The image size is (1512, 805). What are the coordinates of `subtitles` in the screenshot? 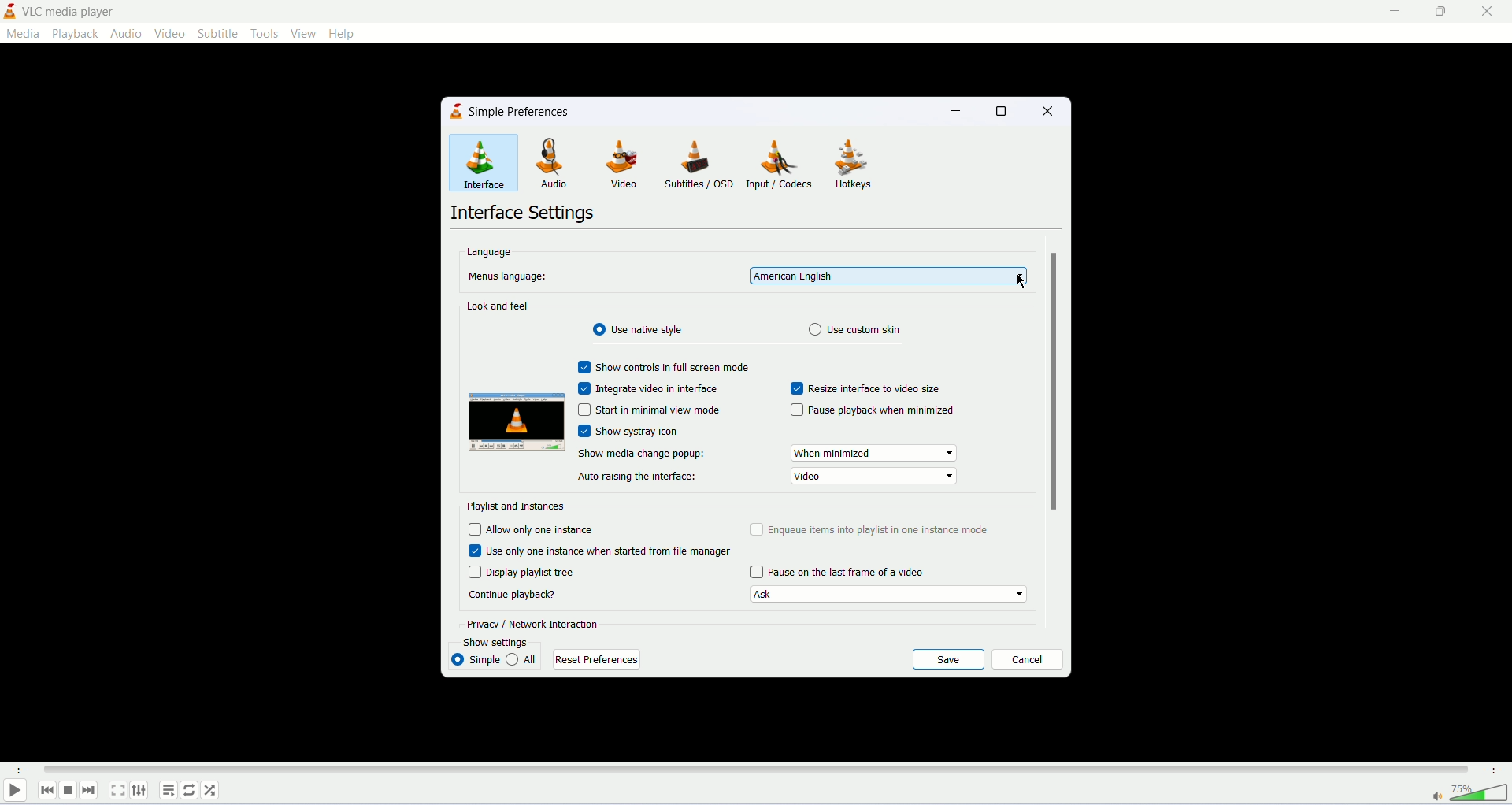 It's located at (697, 164).